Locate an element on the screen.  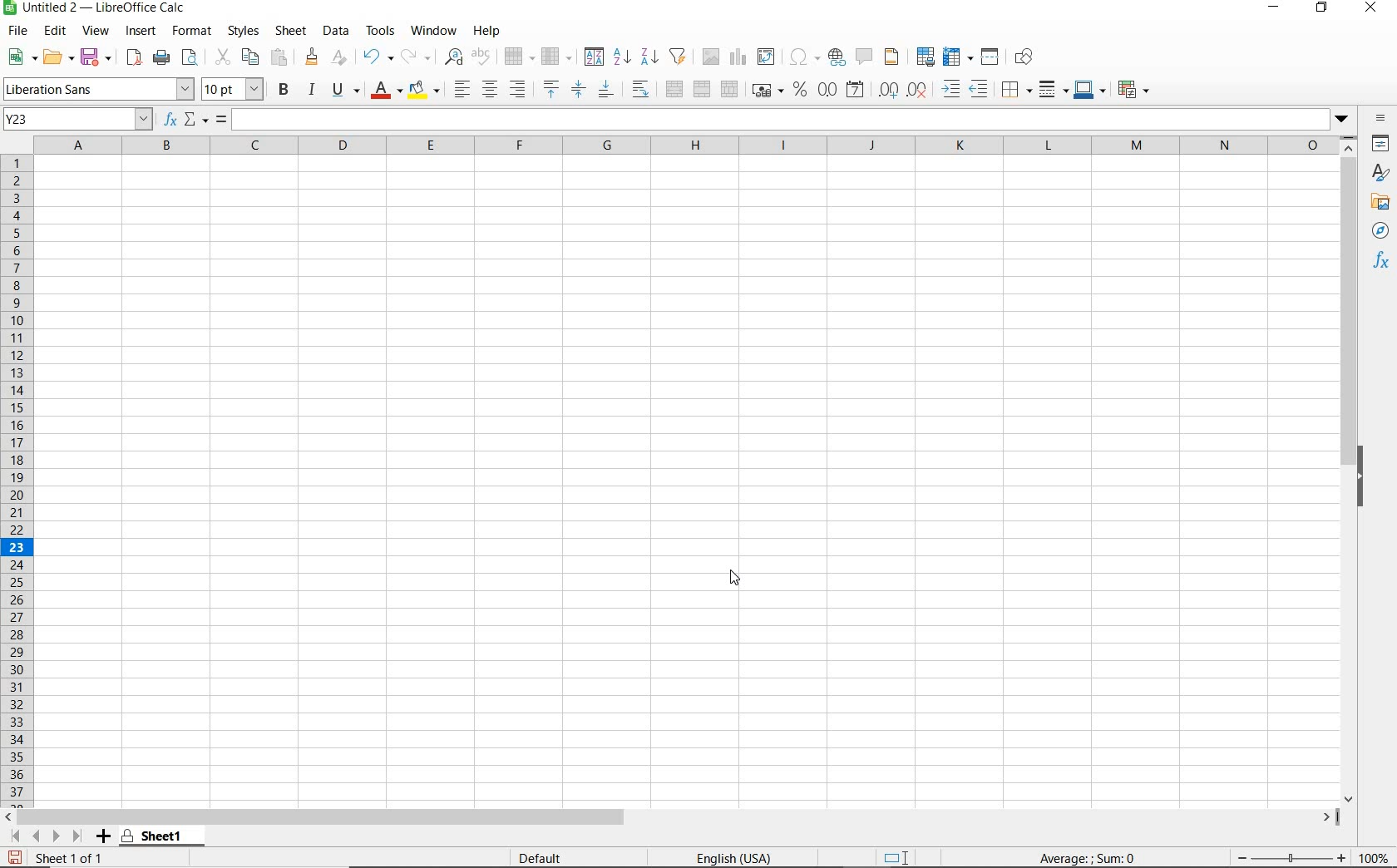
CURSOR AFTER PROTECTING WORKSHEET is located at coordinates (743, 581).